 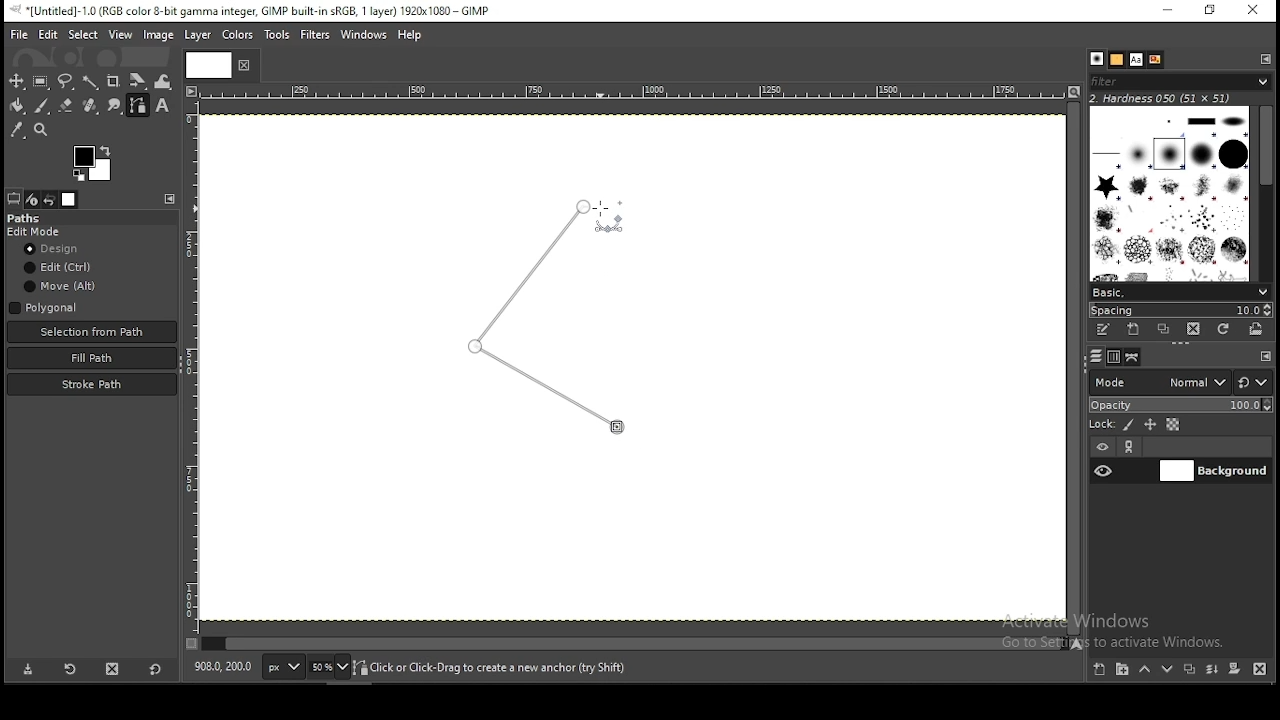 What do you see at coordinates (138, 106) in the screenshot?
I see `paths tool` at bounding box center [138, 106].